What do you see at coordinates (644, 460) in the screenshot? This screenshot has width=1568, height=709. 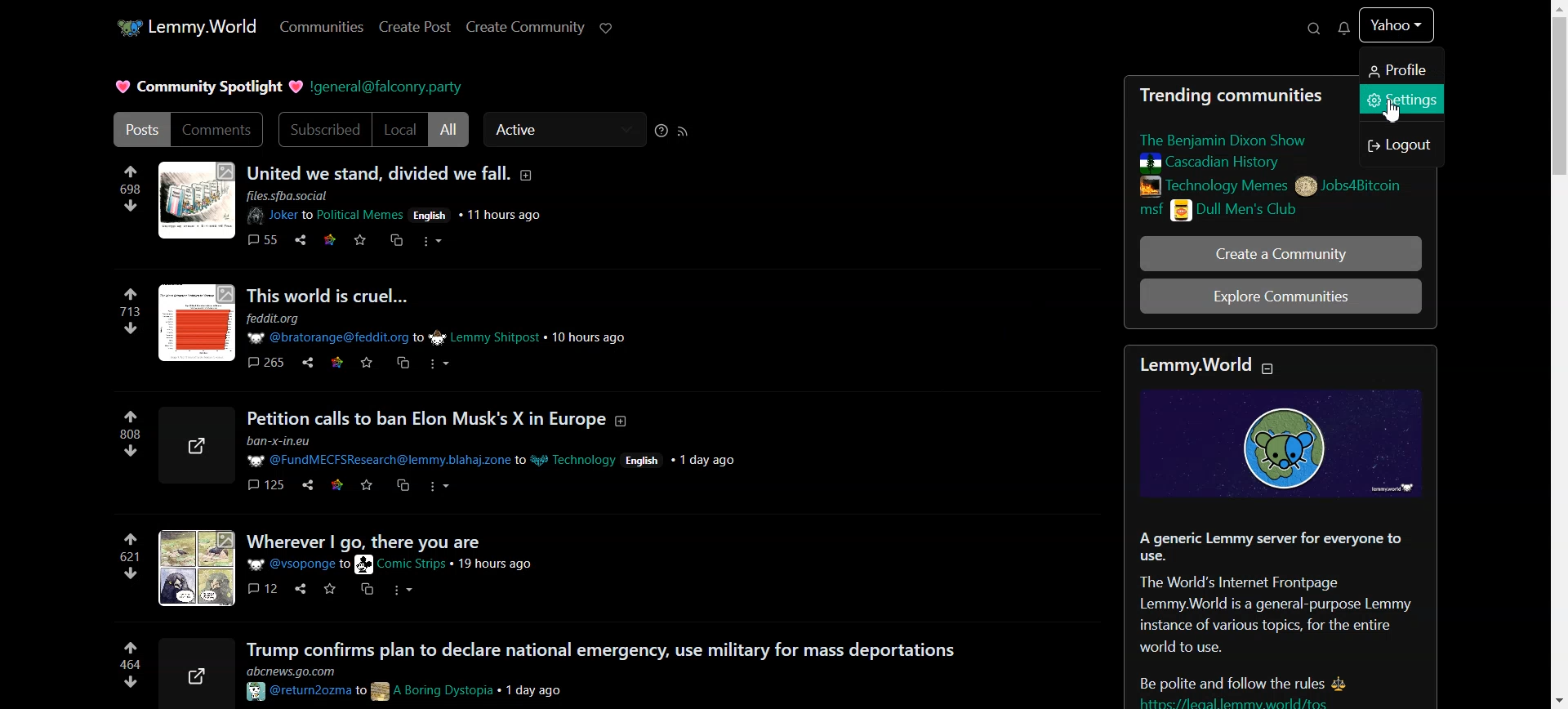 I see `/ English` at bounding box center [644, 460].